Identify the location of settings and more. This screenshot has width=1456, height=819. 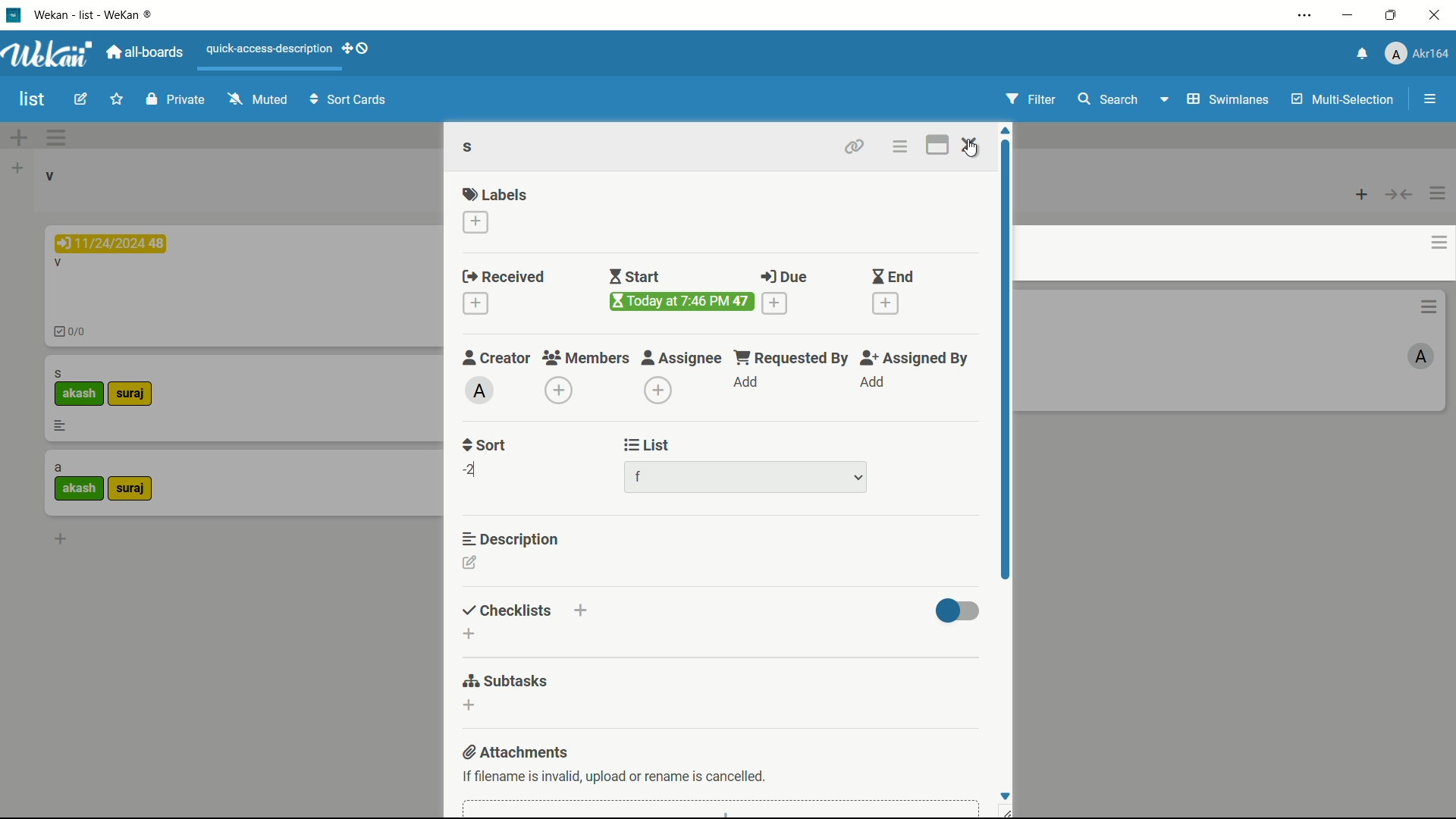
(1307, 15).